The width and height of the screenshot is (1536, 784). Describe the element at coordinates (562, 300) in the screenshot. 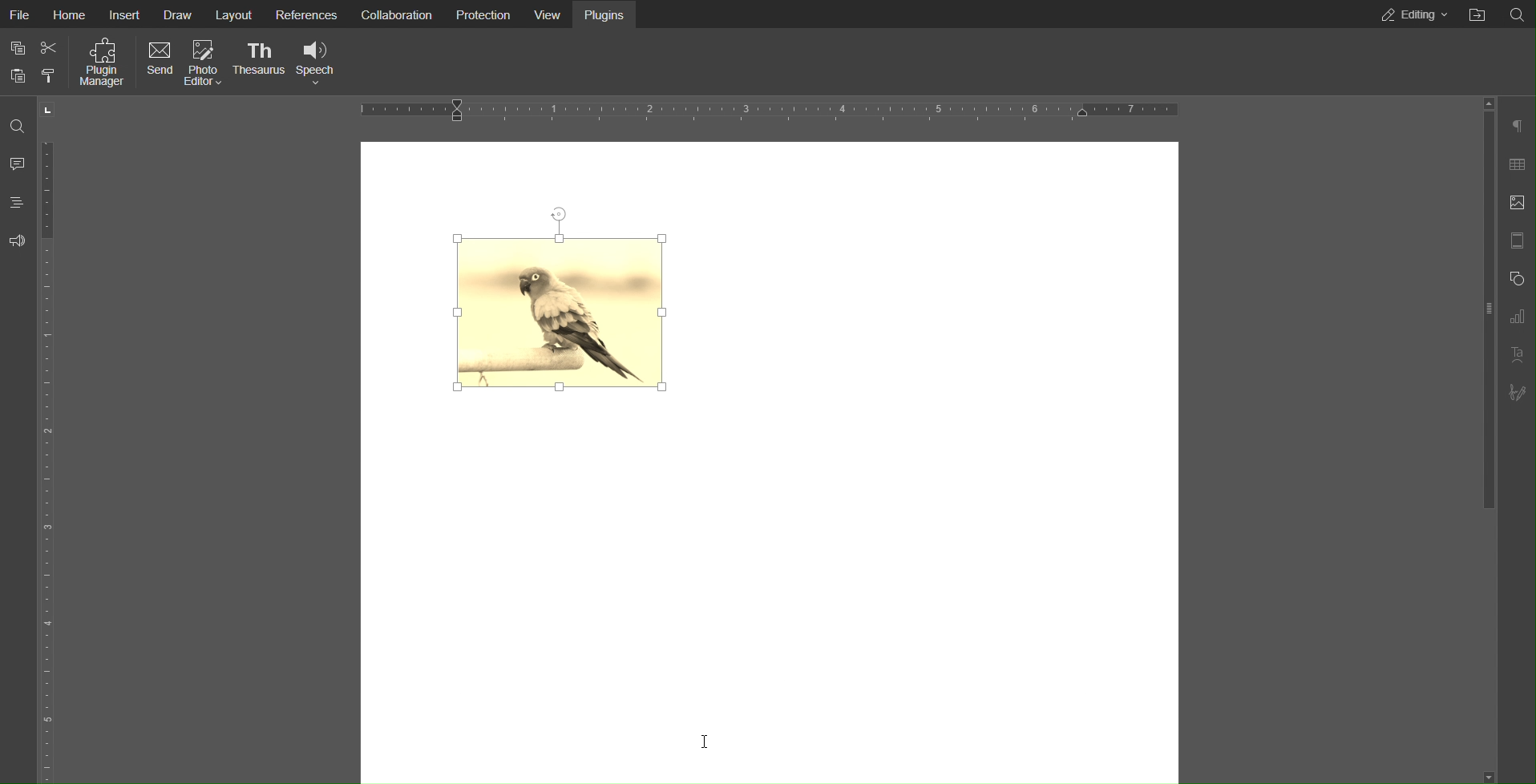

I see `Sepia filter applied on Image` at that location.